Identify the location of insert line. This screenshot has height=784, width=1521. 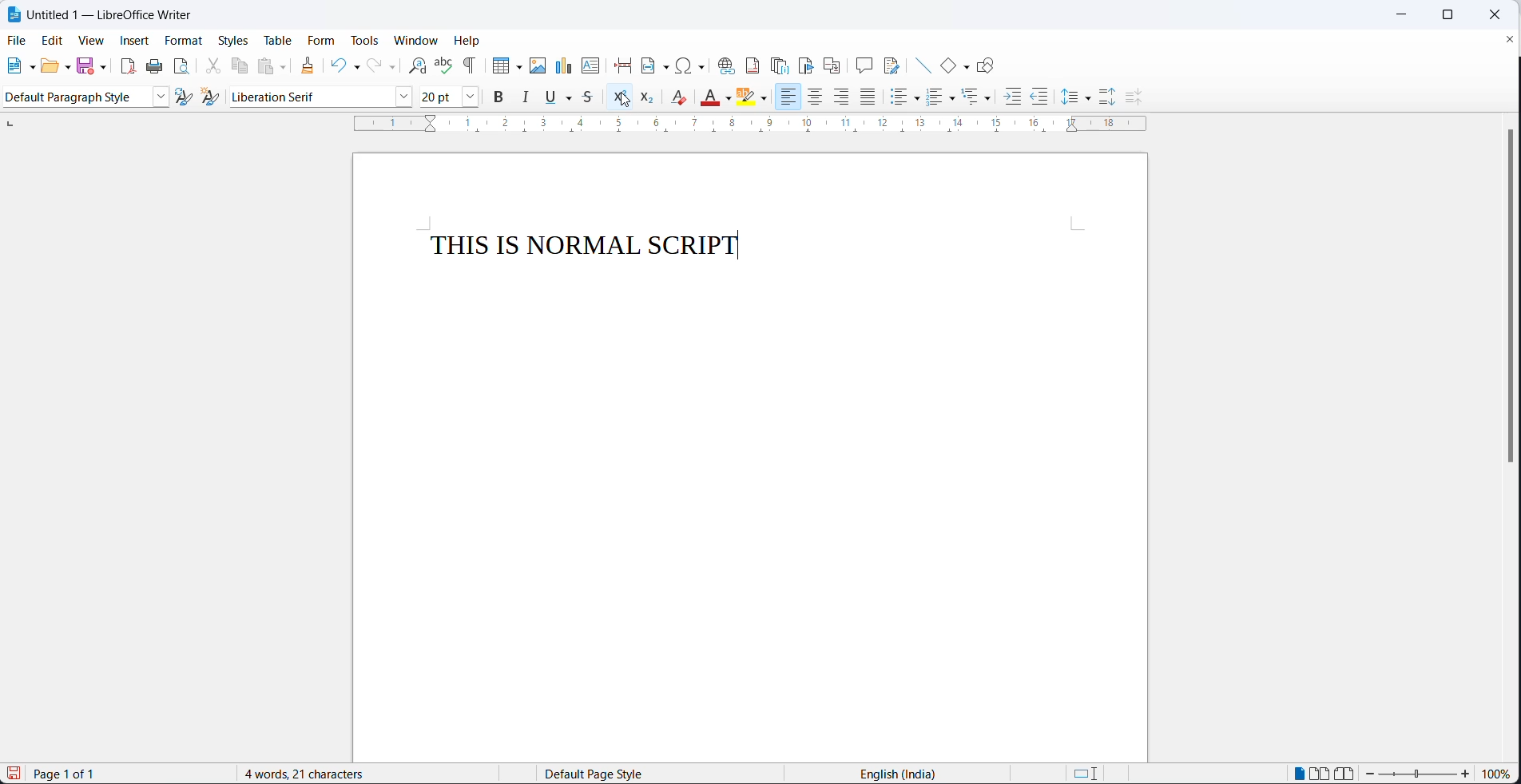
(919, 62).